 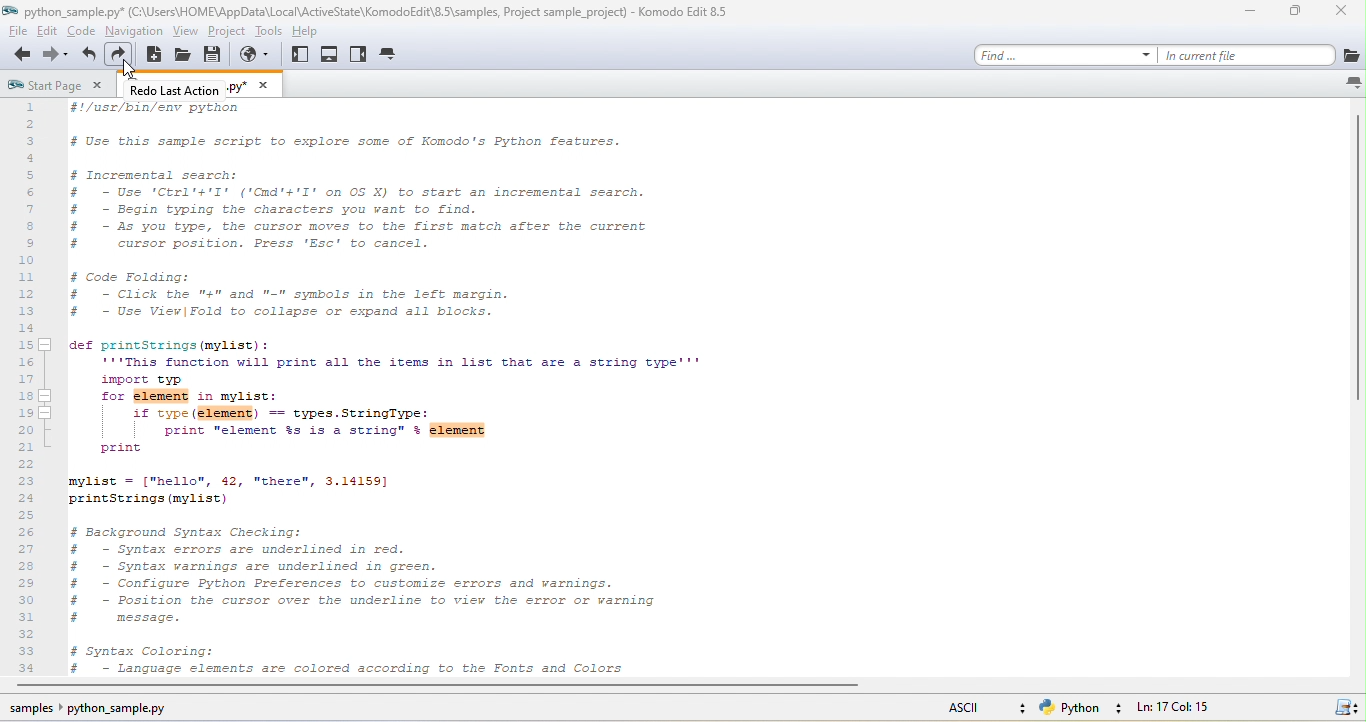 What do you see at coordinates (267, 34) in the screenshot?
I see `tools` at bounding box center [267, 34].